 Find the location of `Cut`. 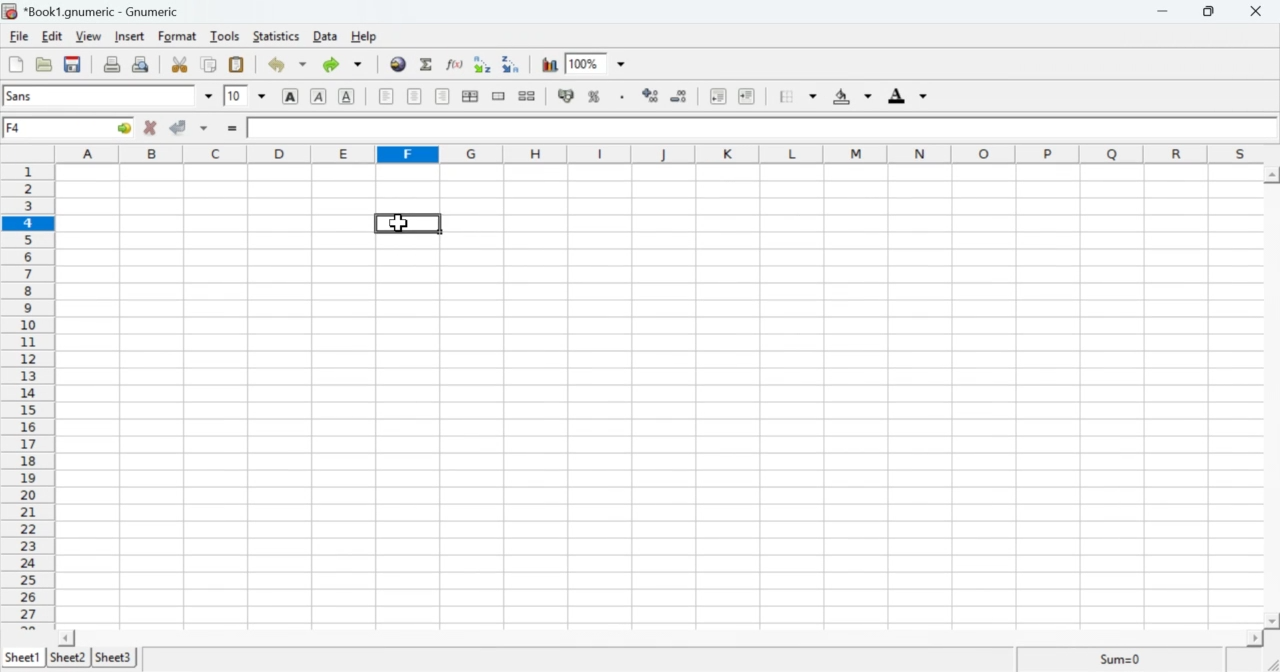

Cut is located at coordinates (180, 63).